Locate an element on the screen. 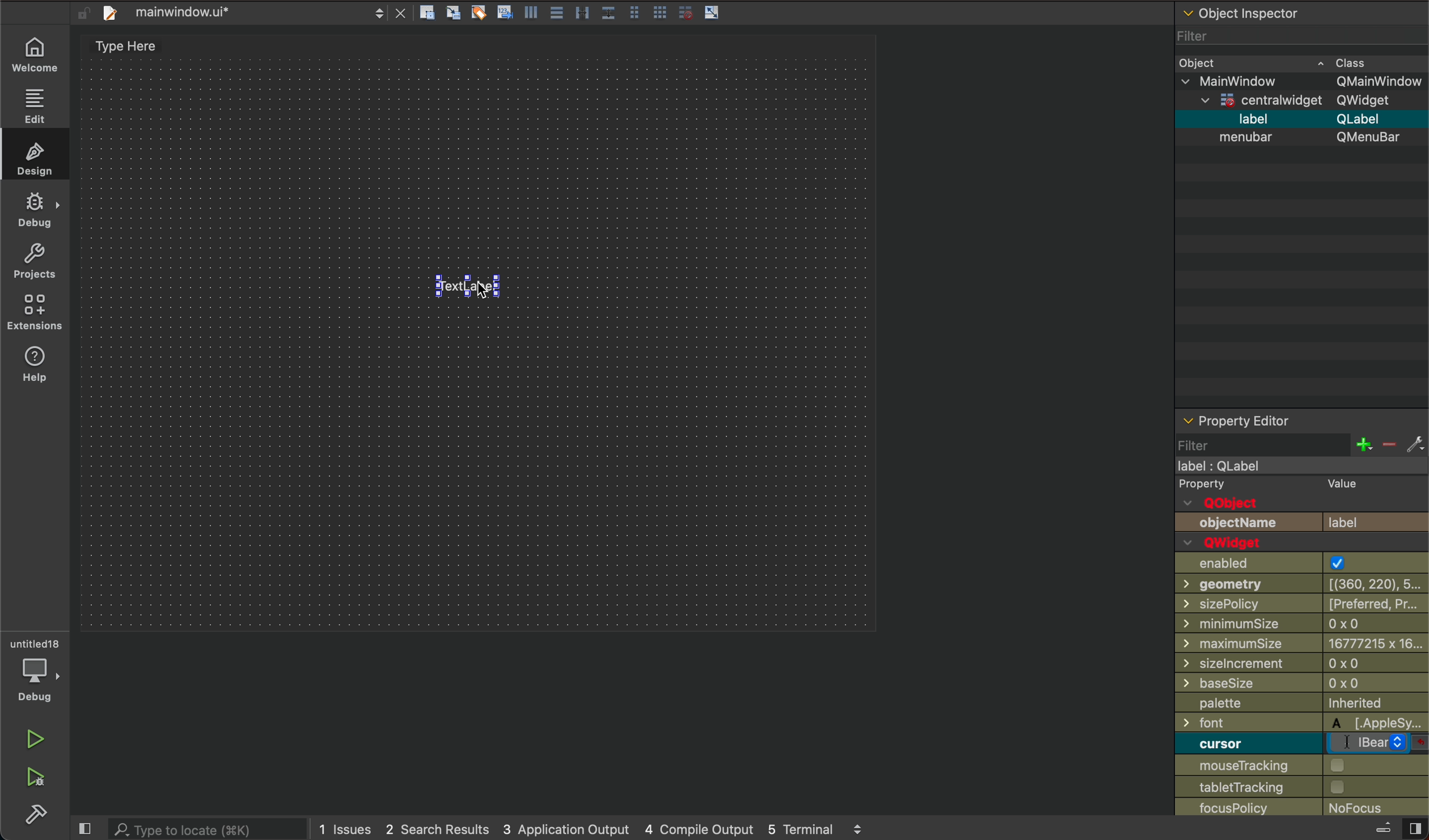 This screenshot has width=1429, height=840. debug is located at coordinates (32, 684).